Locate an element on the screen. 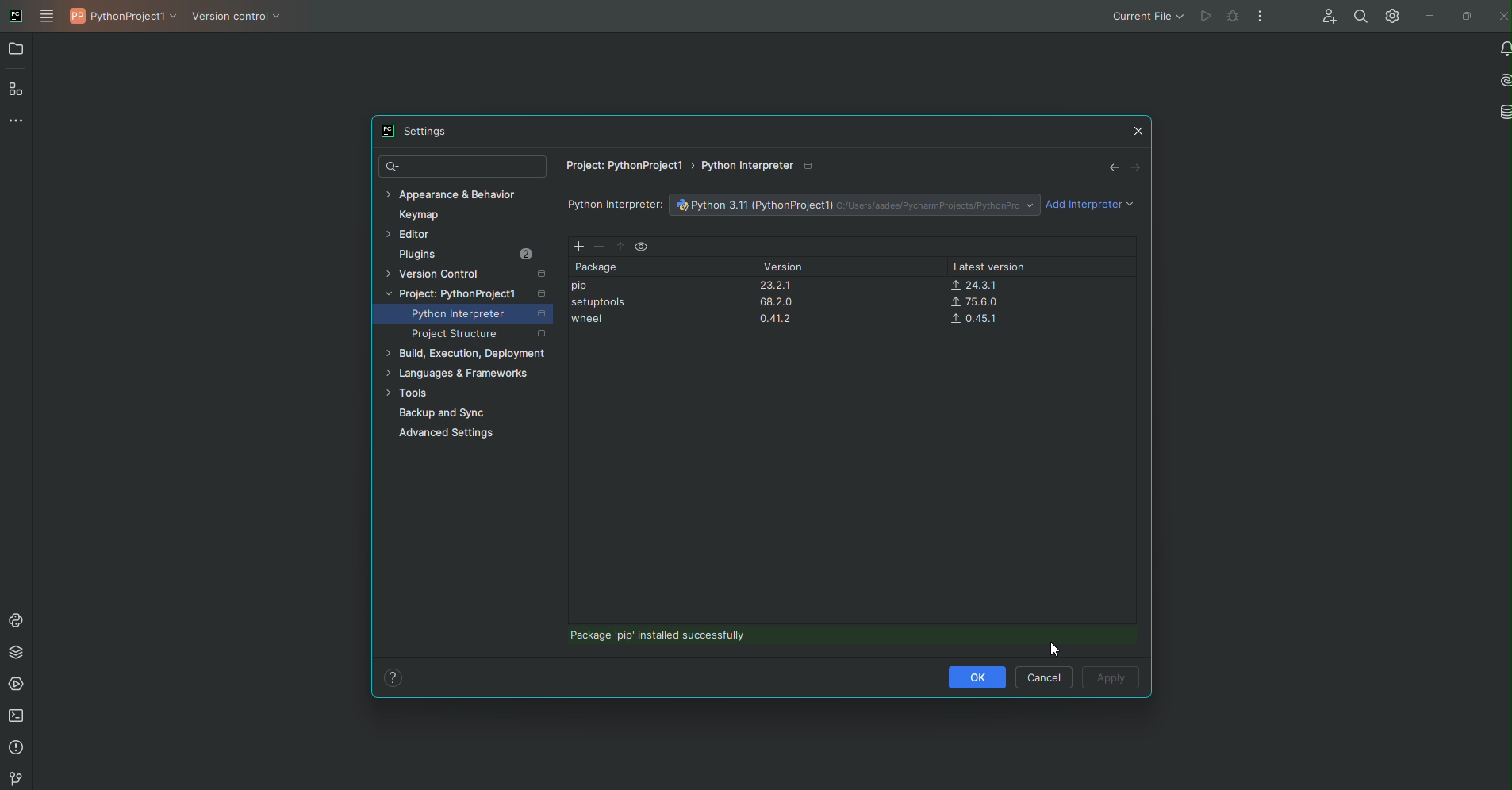  Minimize is located at coordinates (1426, 17).